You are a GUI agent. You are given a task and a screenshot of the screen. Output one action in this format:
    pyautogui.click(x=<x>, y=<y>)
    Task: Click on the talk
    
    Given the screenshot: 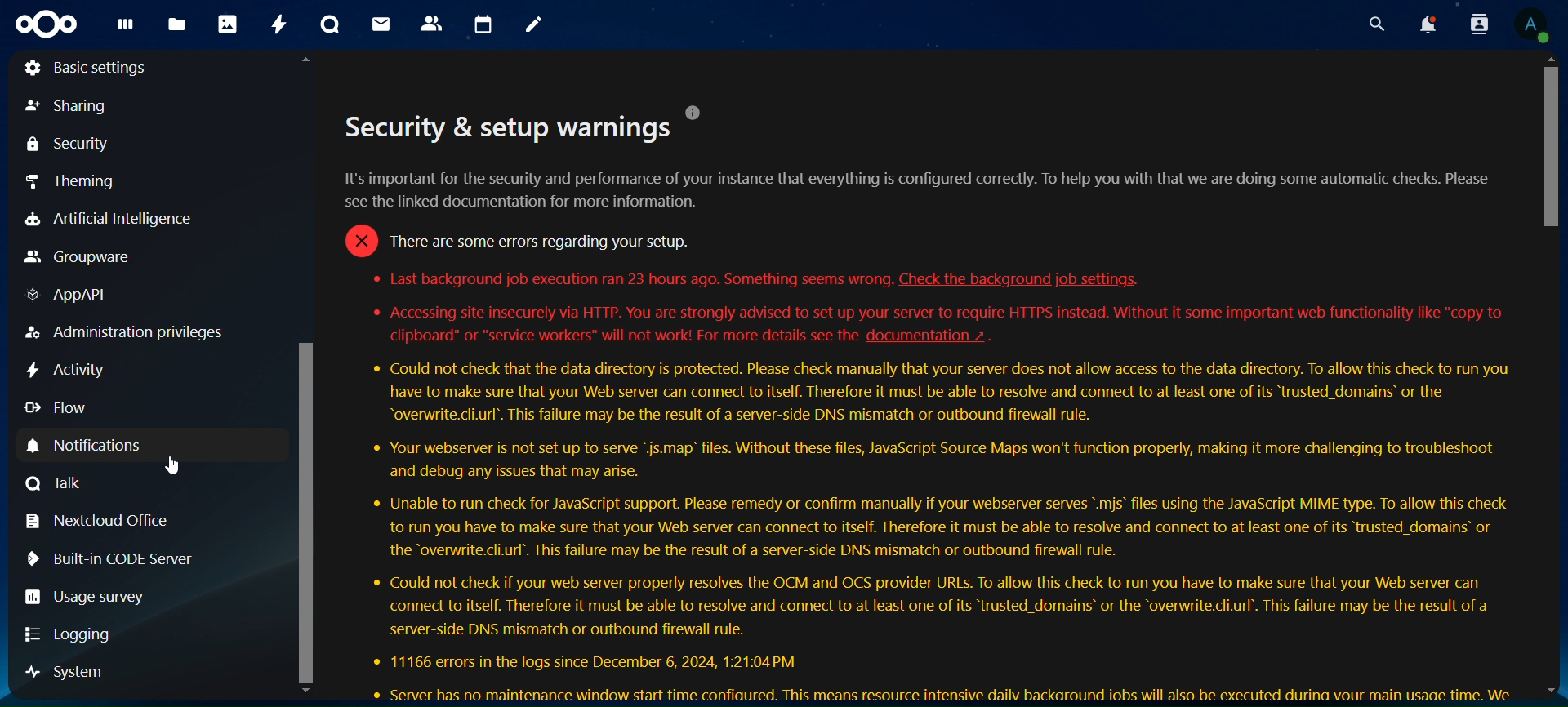 What is the action you would take?
    pyautogui.click(x=54, y=484)
    